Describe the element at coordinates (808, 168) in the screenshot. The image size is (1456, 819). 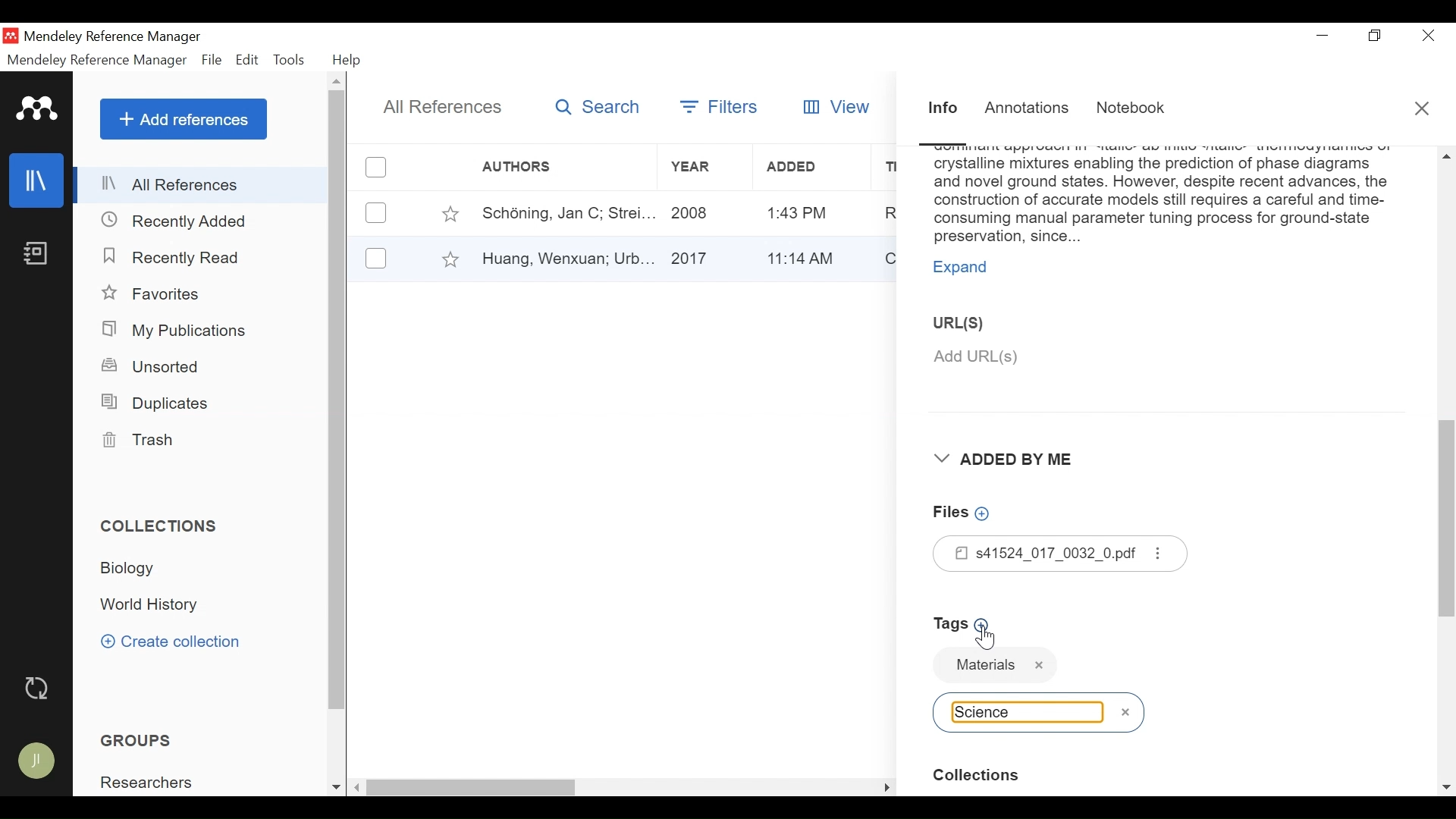
I see `Added` at that location.